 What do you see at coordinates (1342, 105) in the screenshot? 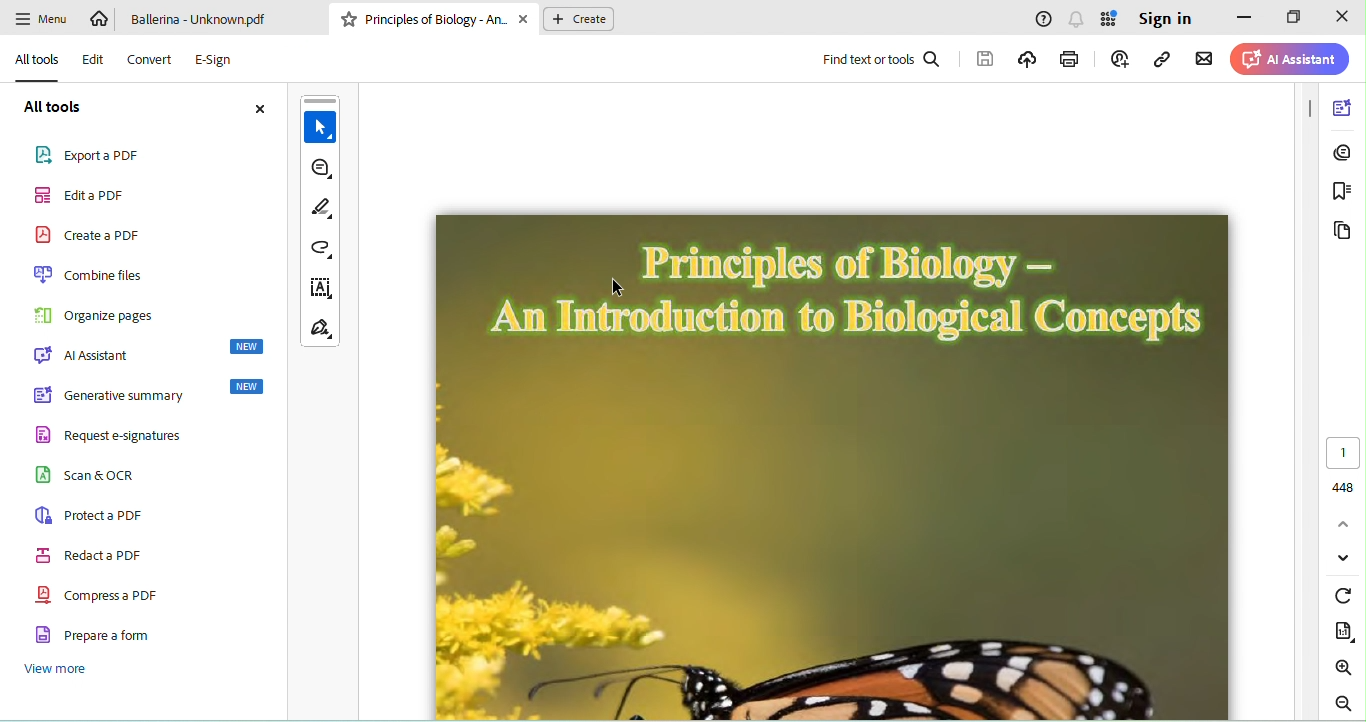
I see `quick understand document` at bounding box center [1342, 105].